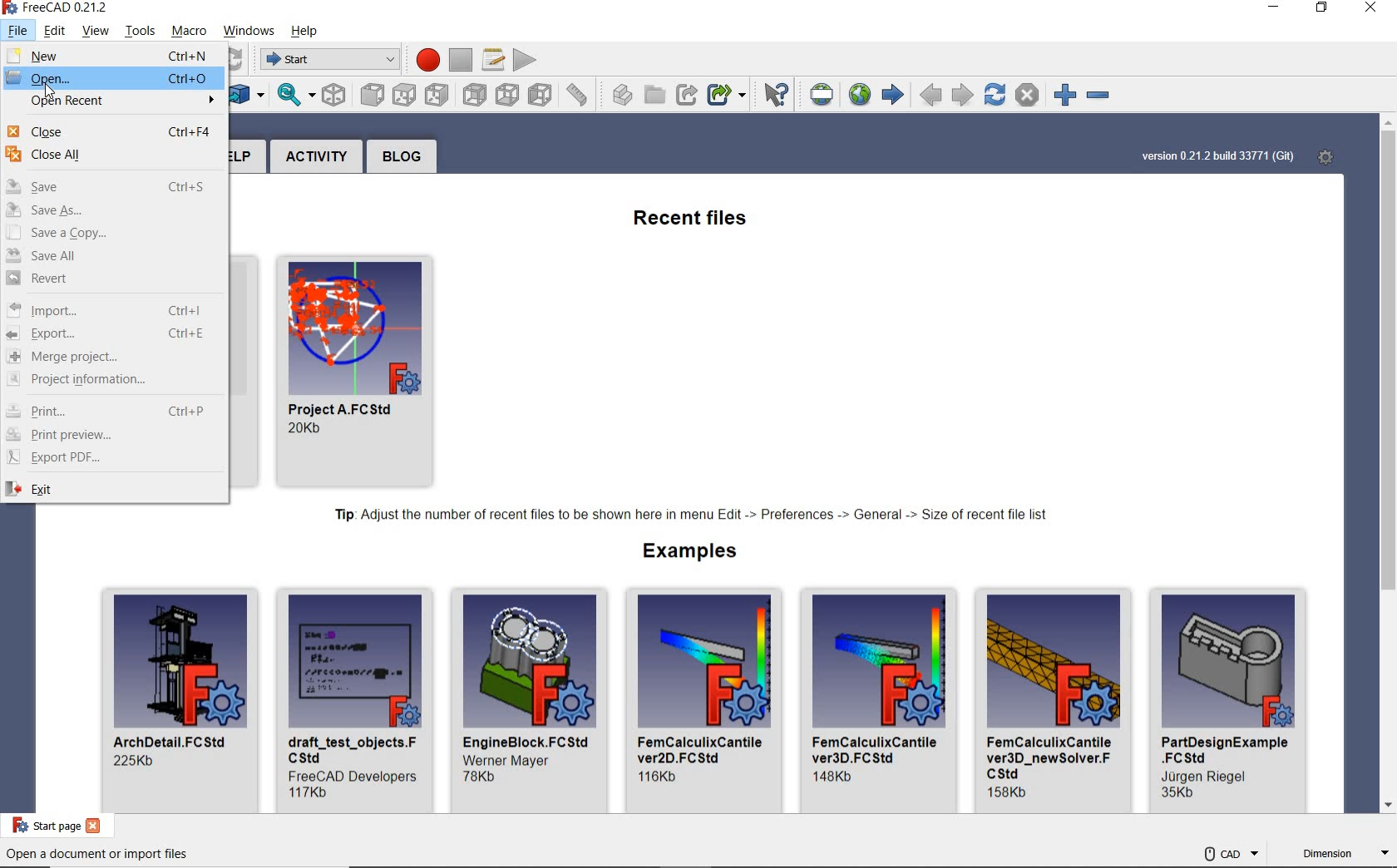 The width and height of the screenshot is (1397, 868). I want to click on size, so click(482, 777).